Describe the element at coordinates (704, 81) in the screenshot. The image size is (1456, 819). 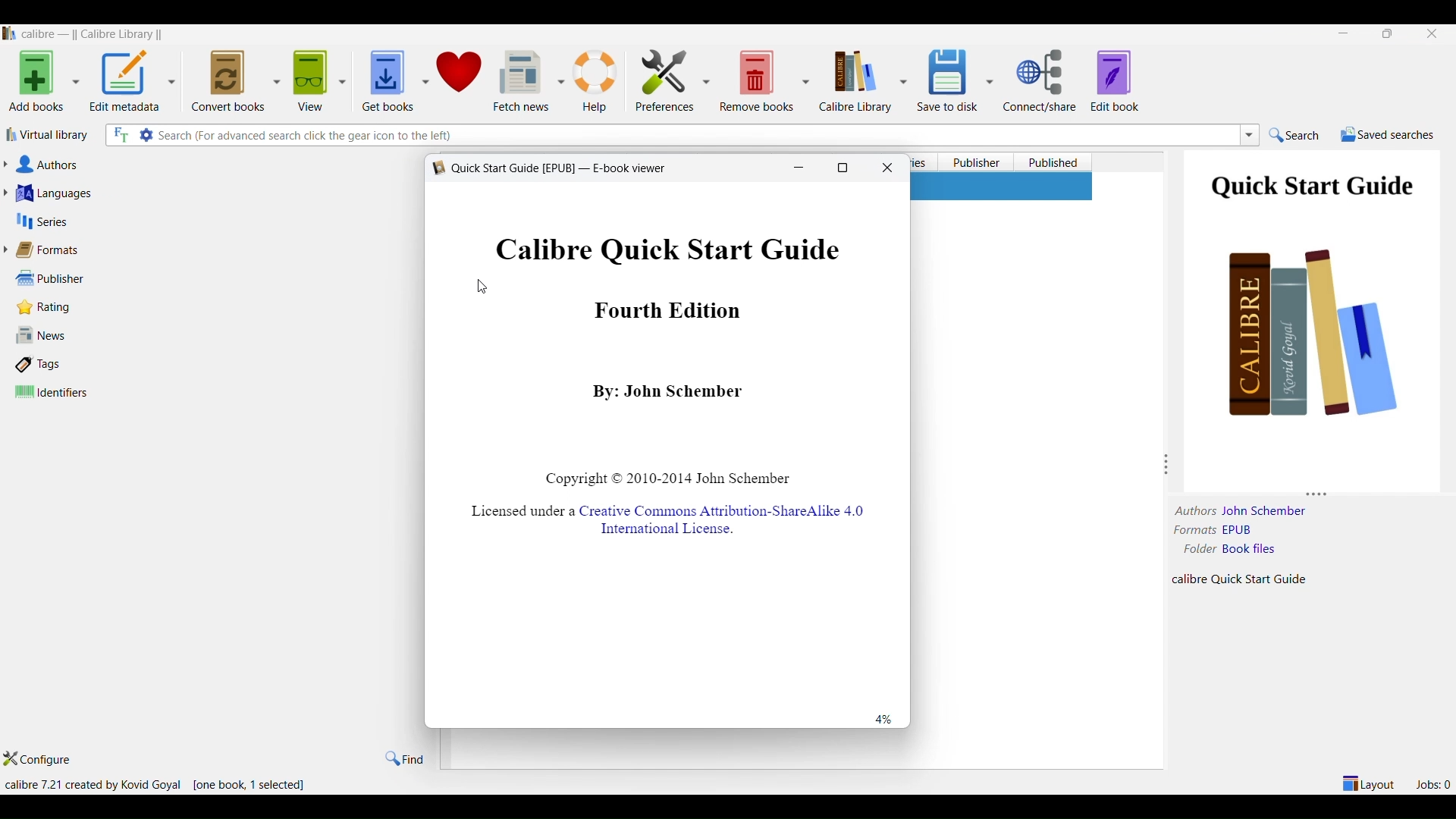
I see `preferences options dropdown button` at that location.